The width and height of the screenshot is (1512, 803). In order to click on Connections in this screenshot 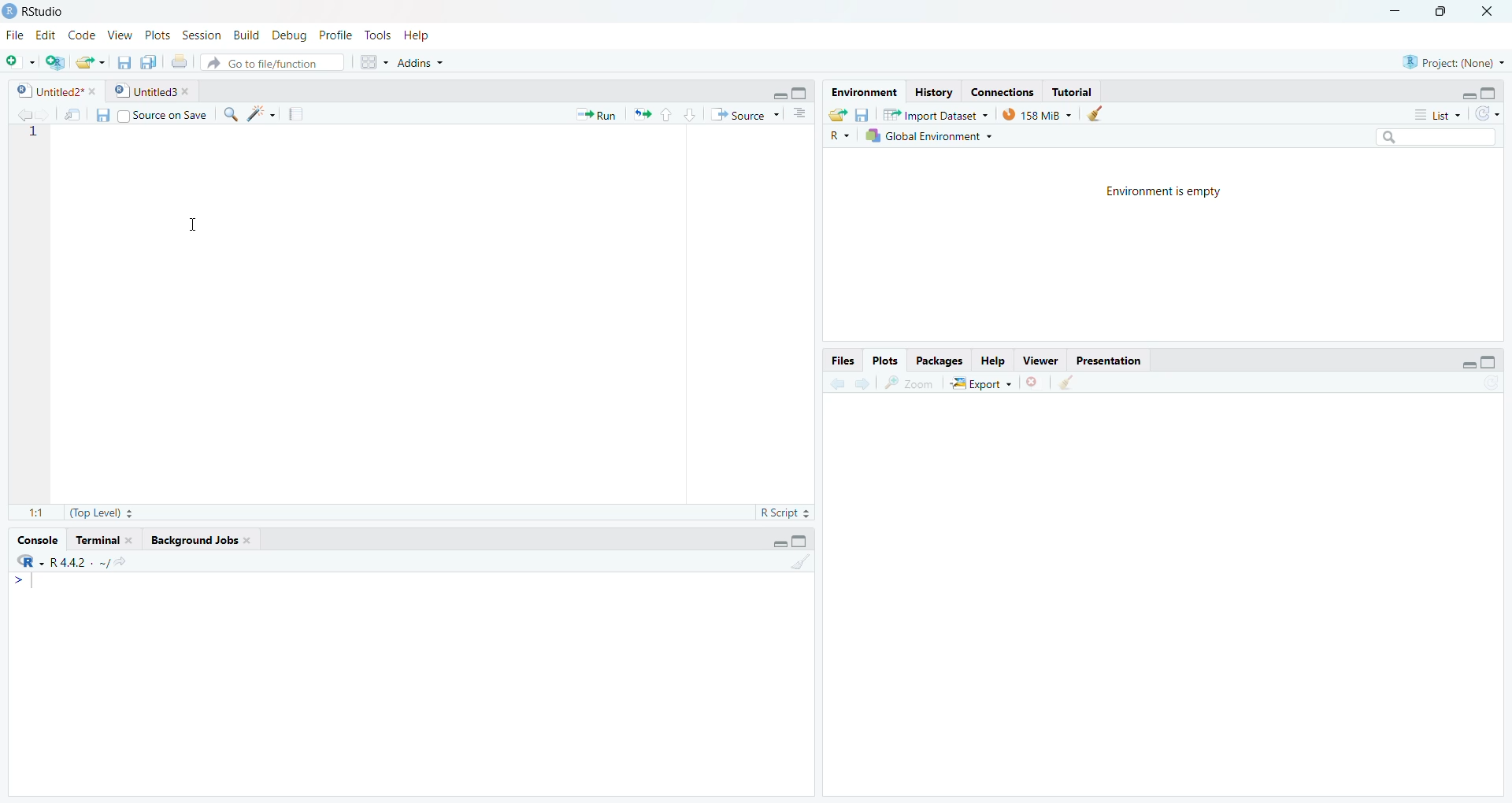, I will do `click(999, 91)`.